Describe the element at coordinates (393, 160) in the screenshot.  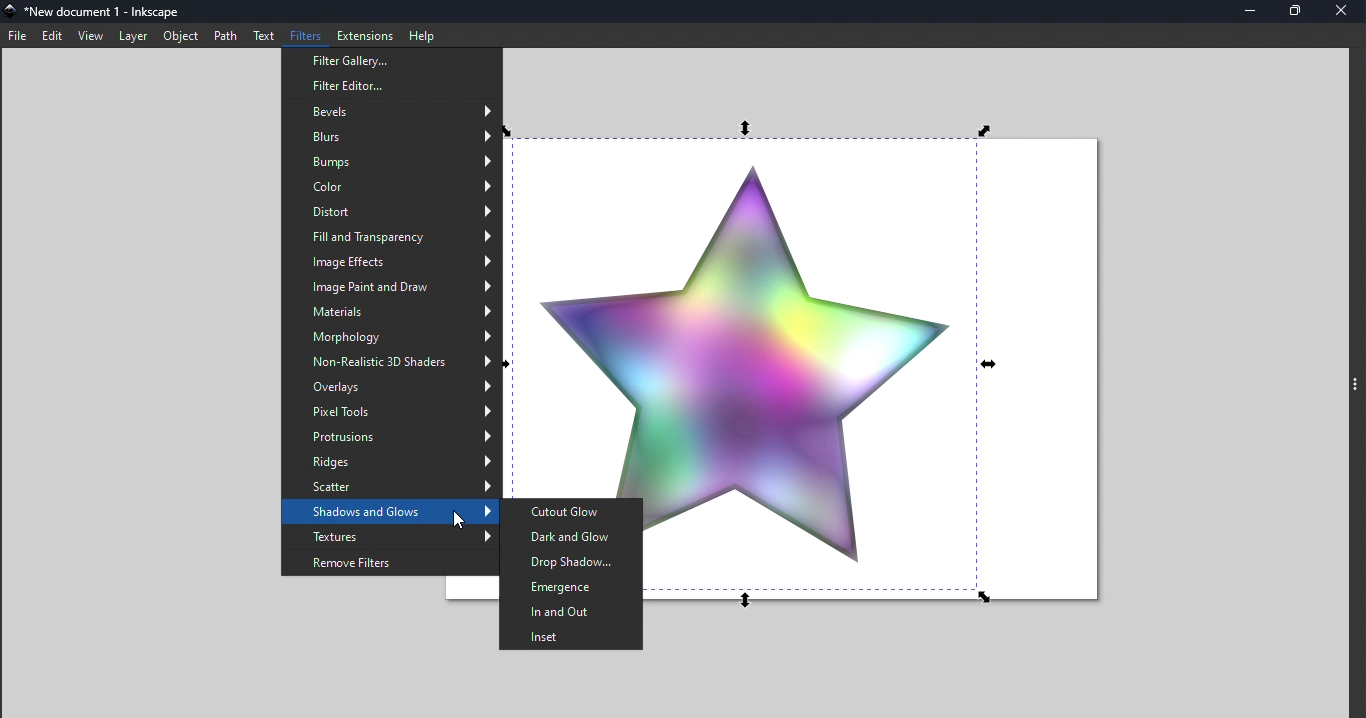
I see `Bumps` at that location.